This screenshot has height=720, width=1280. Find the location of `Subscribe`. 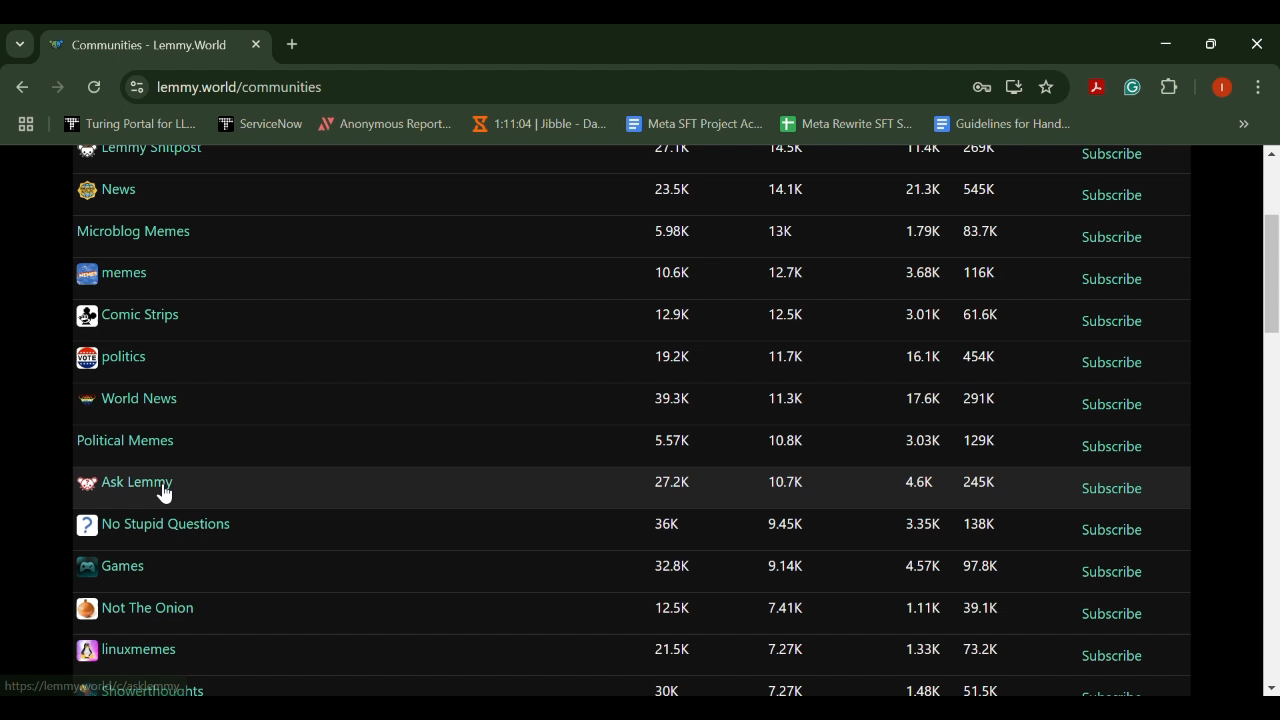

Subscribe is located at coordinates (1112, 321).